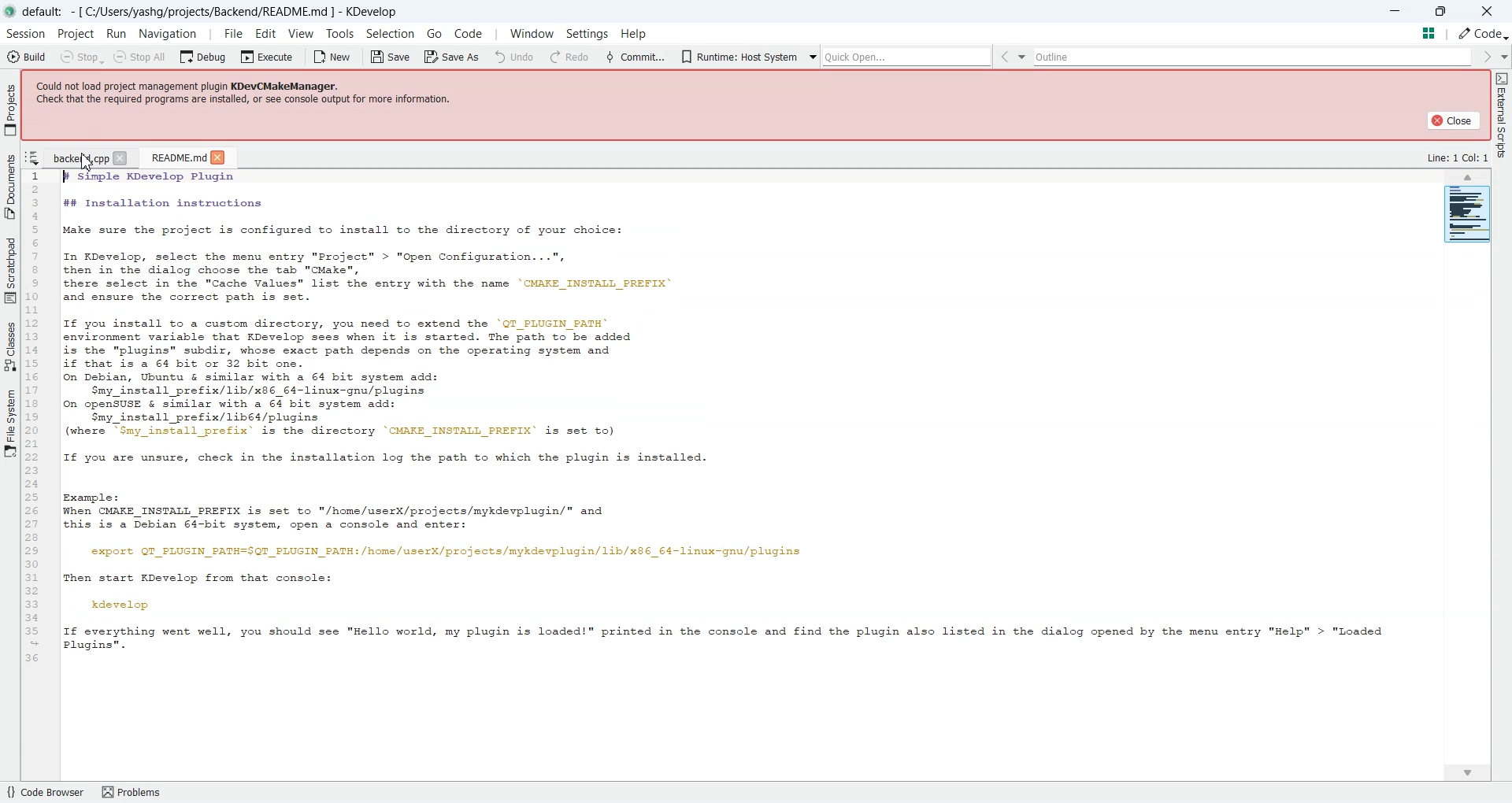  Describe the element at coordinates (159, 204) in the screenshot. I see `## Installation instructions` at that location.